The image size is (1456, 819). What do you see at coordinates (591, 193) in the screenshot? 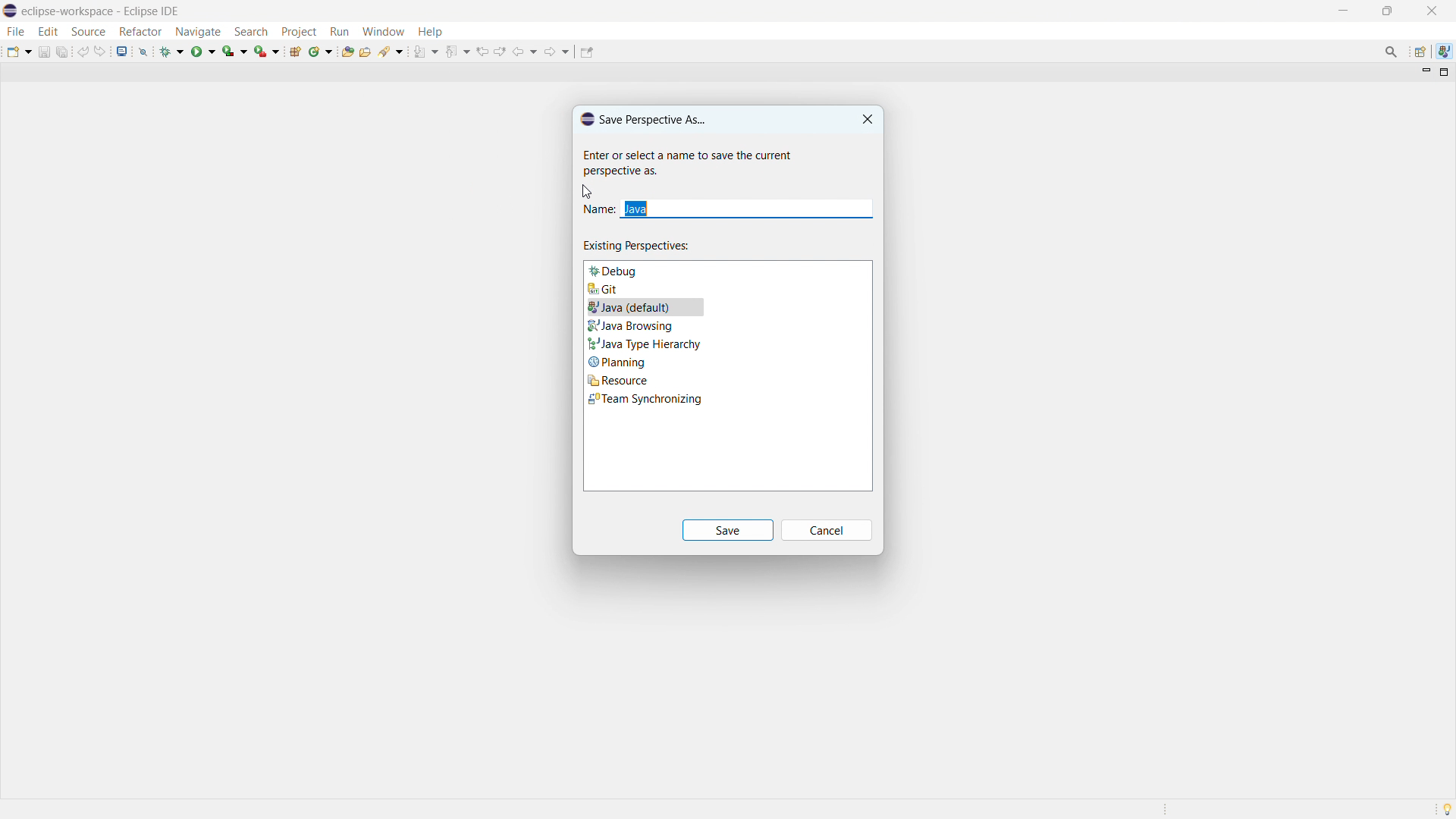
I see `cursor` at bounding box center [591, 193].